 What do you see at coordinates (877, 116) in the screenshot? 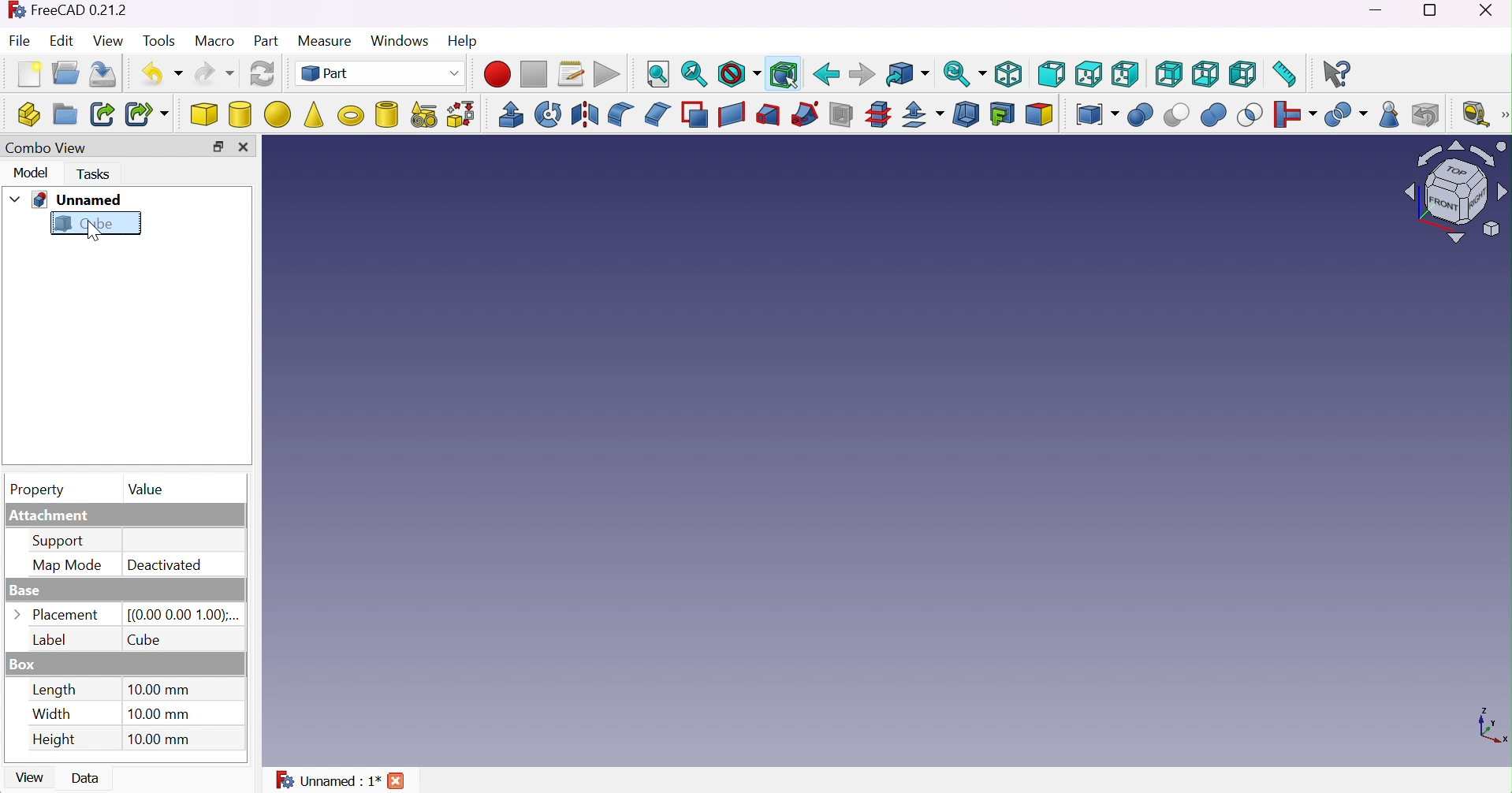
I see `Sub-sections` at bounding box center [877, 116].